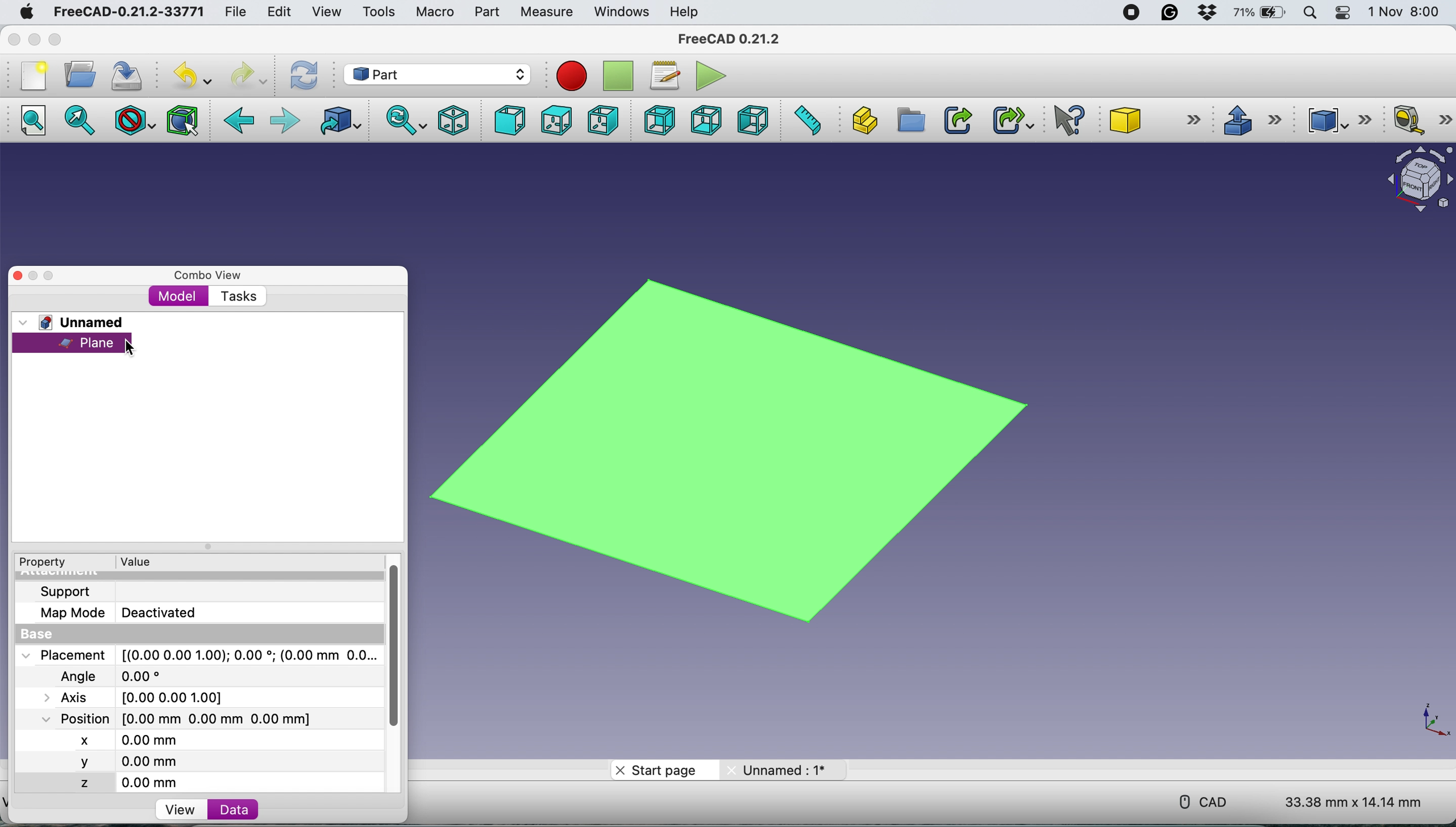  What do you see at coordinates (572, 77) in the screenshot?
I see `recording macros` at bounding box center [572, 77].